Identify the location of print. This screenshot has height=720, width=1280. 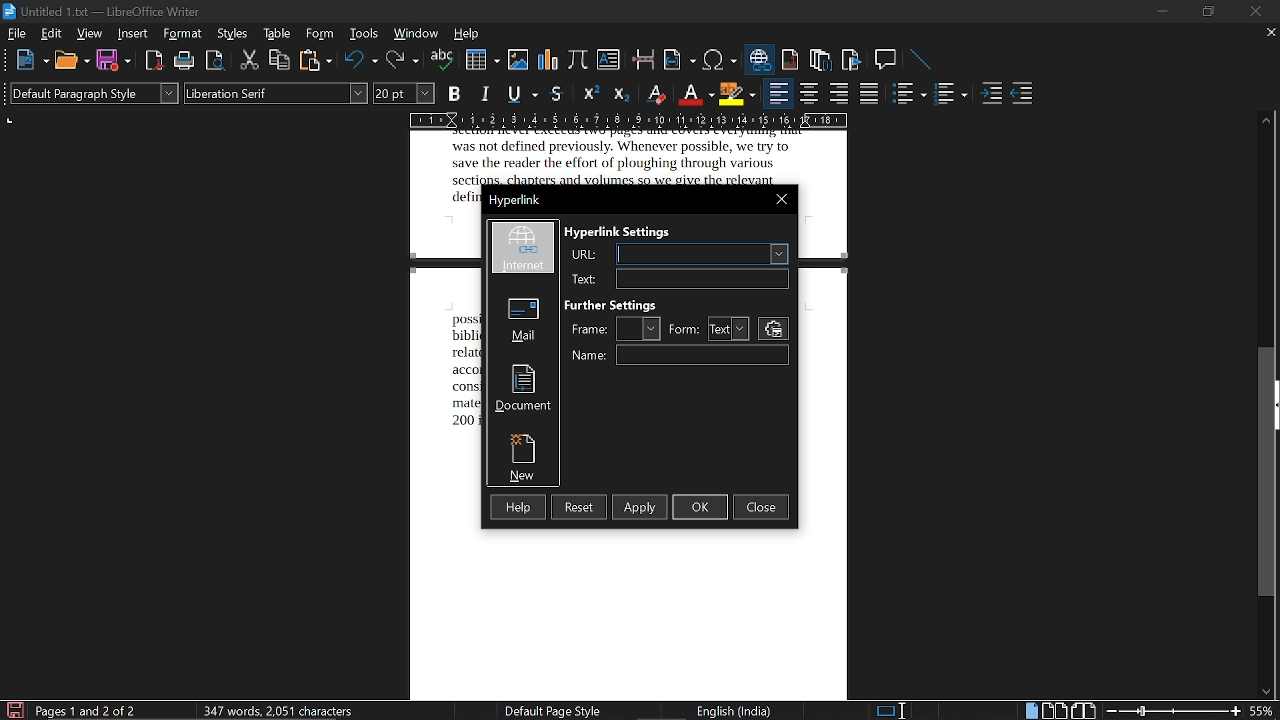
(184, 61).